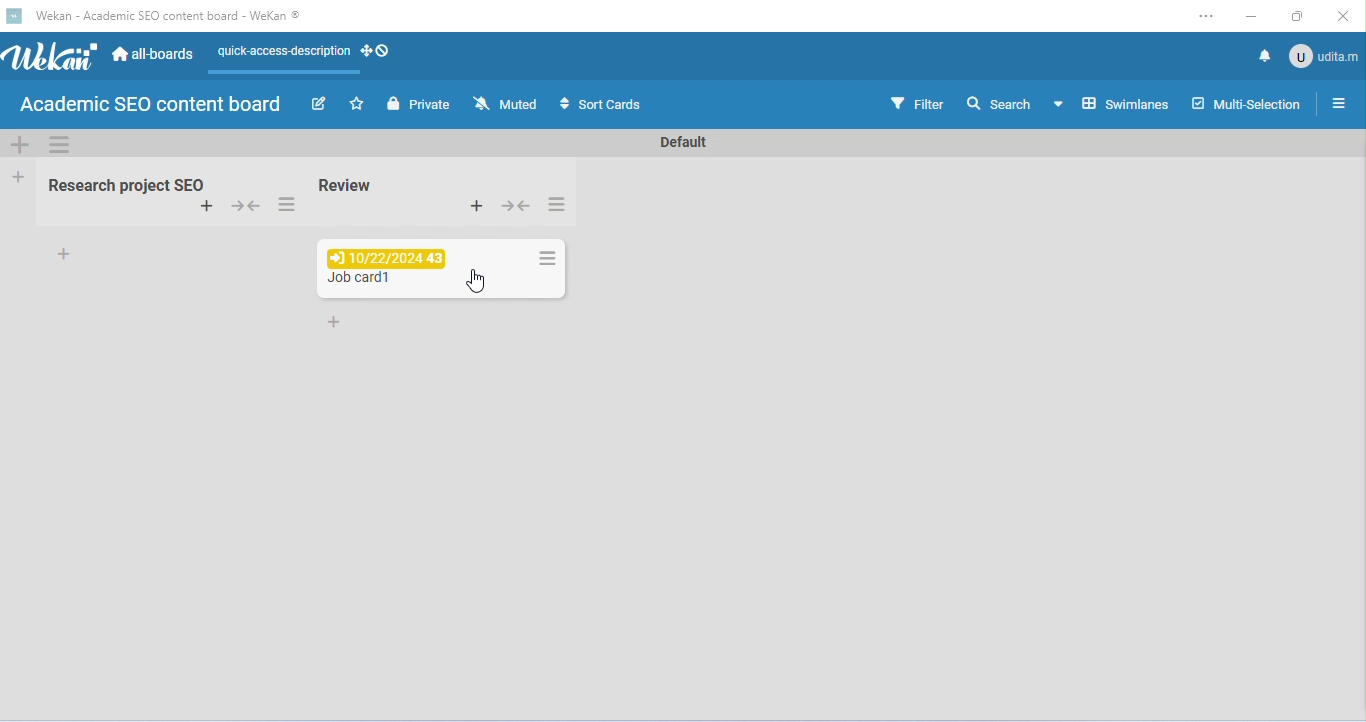 This screenshot has width=1366, height=722. Describe the element at coordinates (680, 143) in the screenshot. I see `default` at that location.